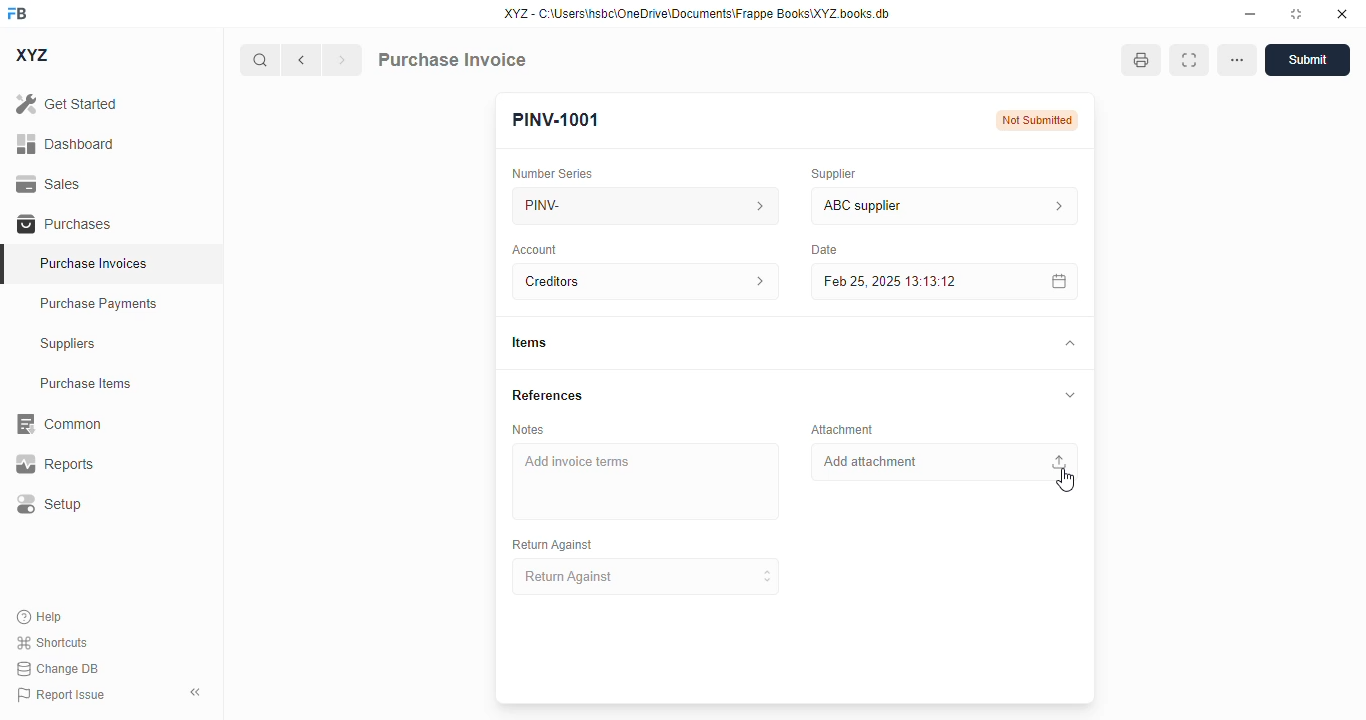 Image resolution: width=1366 pixels, height=720 pixels. What do you see at coordinates (64, 224) in the screenshot?
I see `purchases` at bounding box center [64, 224].